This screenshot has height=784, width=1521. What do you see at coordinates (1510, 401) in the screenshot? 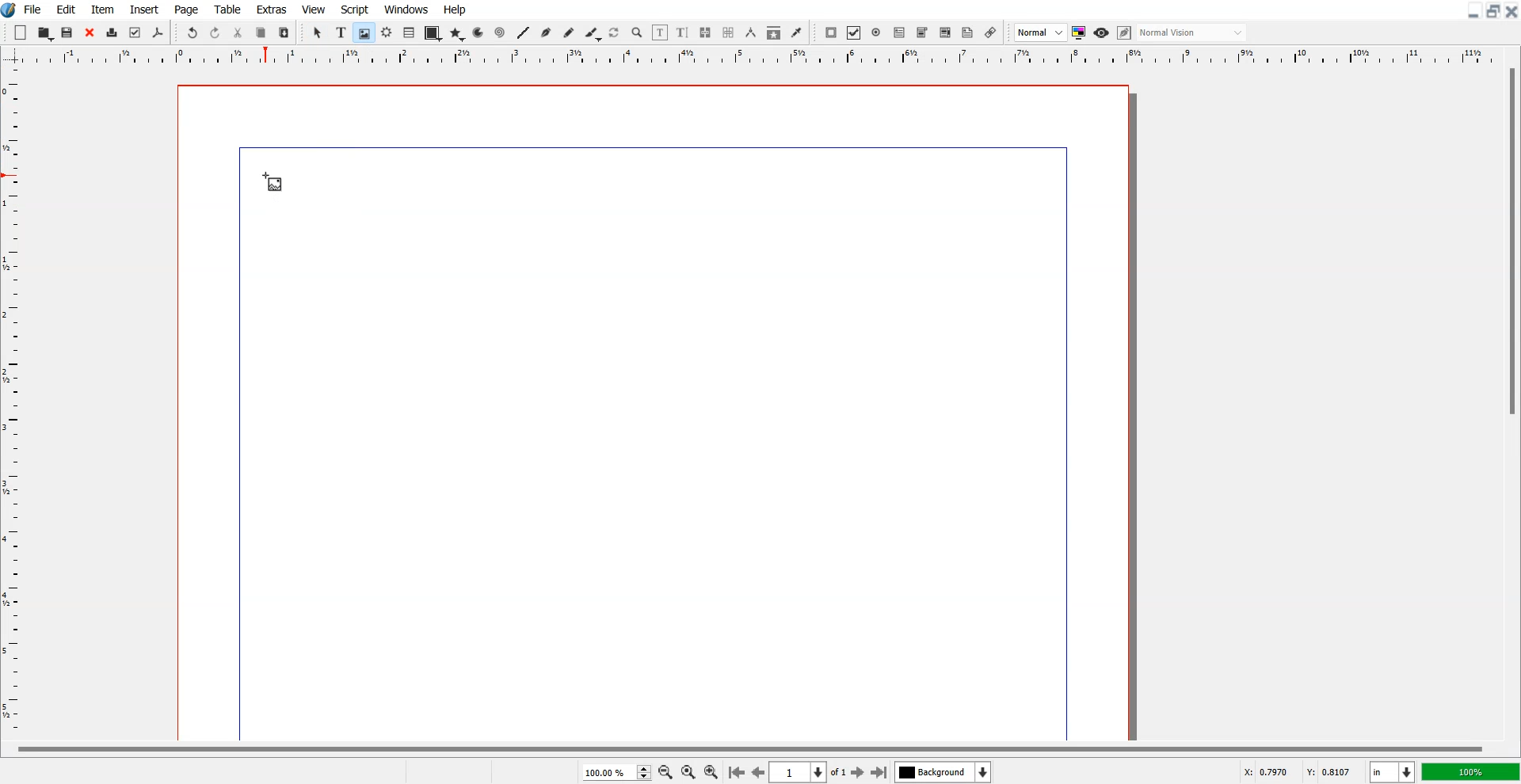
I see `Vertical Scroll Bar` at bounding box center [1510, 401].